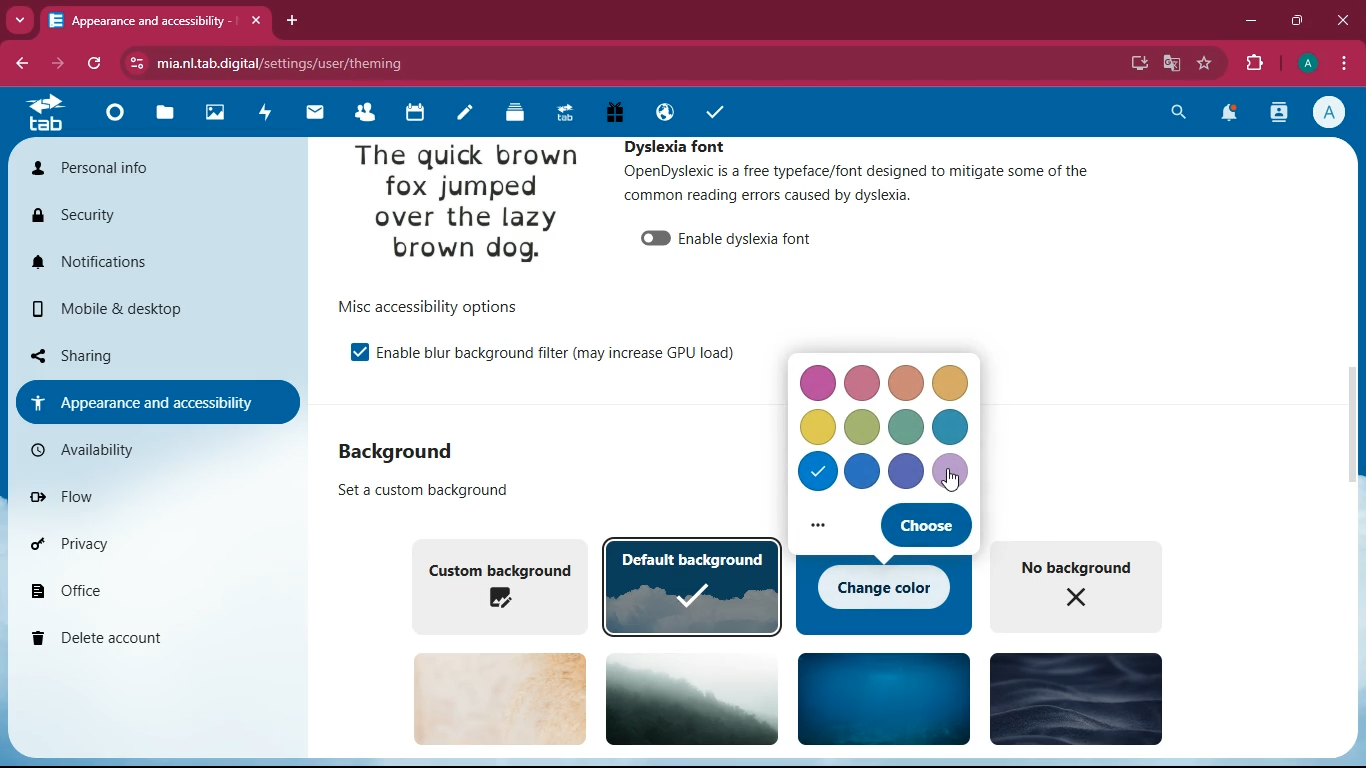 The height and width of the screenshot is (768, 1366). I want to click on refresh, so click(96, 64).